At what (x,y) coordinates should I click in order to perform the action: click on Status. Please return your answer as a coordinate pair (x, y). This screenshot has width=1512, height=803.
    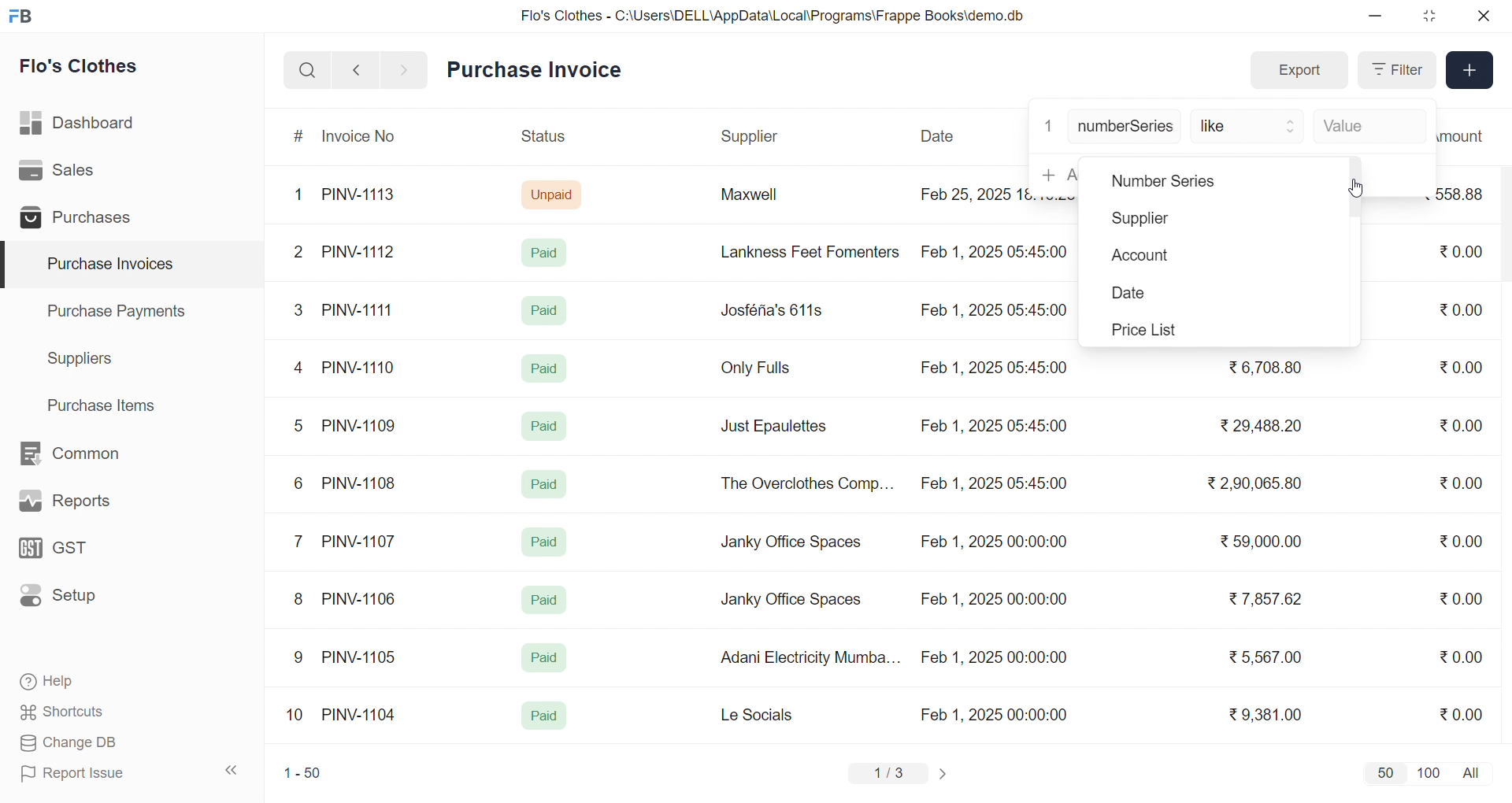
    Looking at the image, I should click on (542, 139).